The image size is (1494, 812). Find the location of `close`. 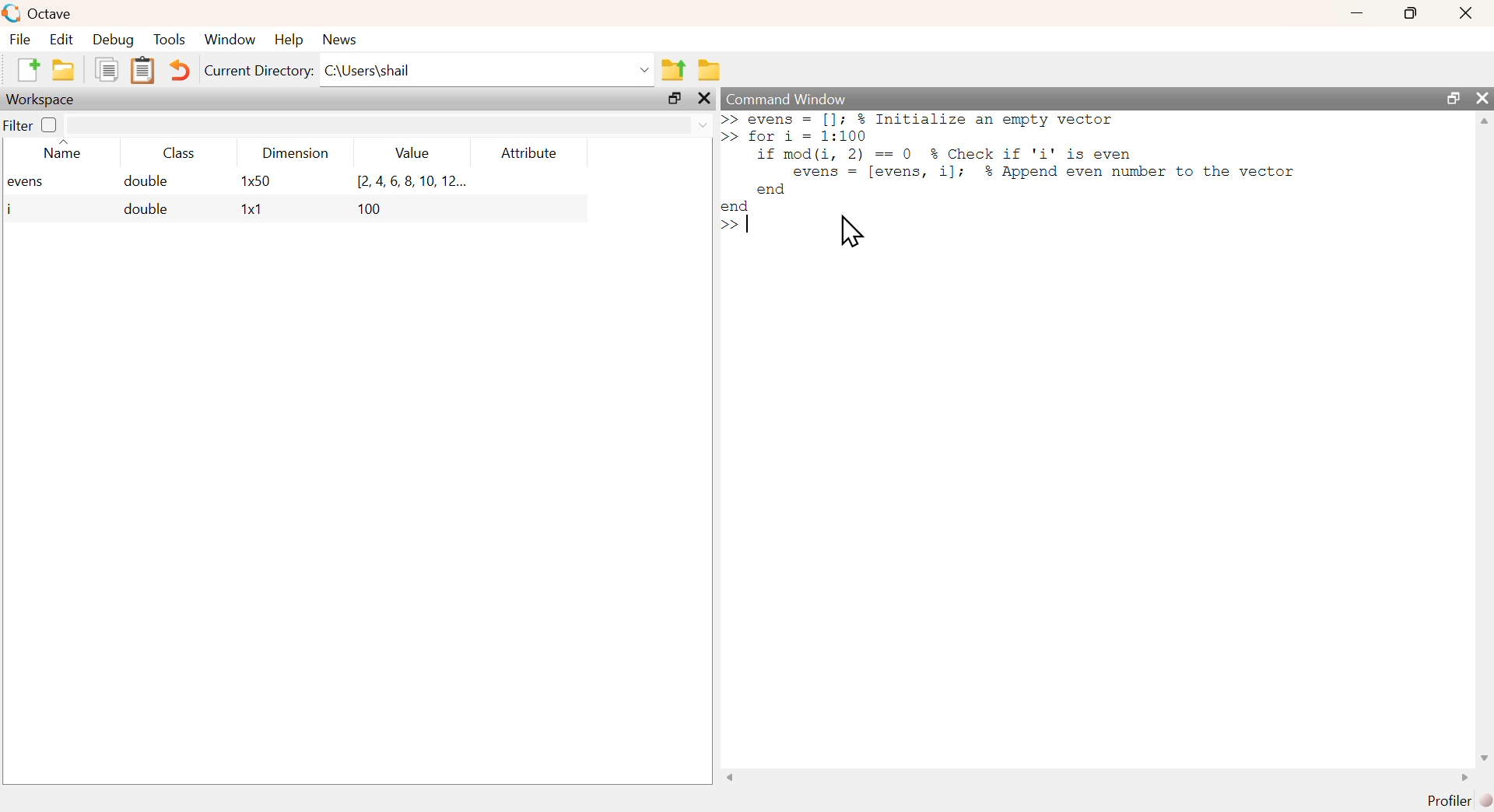

close is located at coordinates (1483, 98).